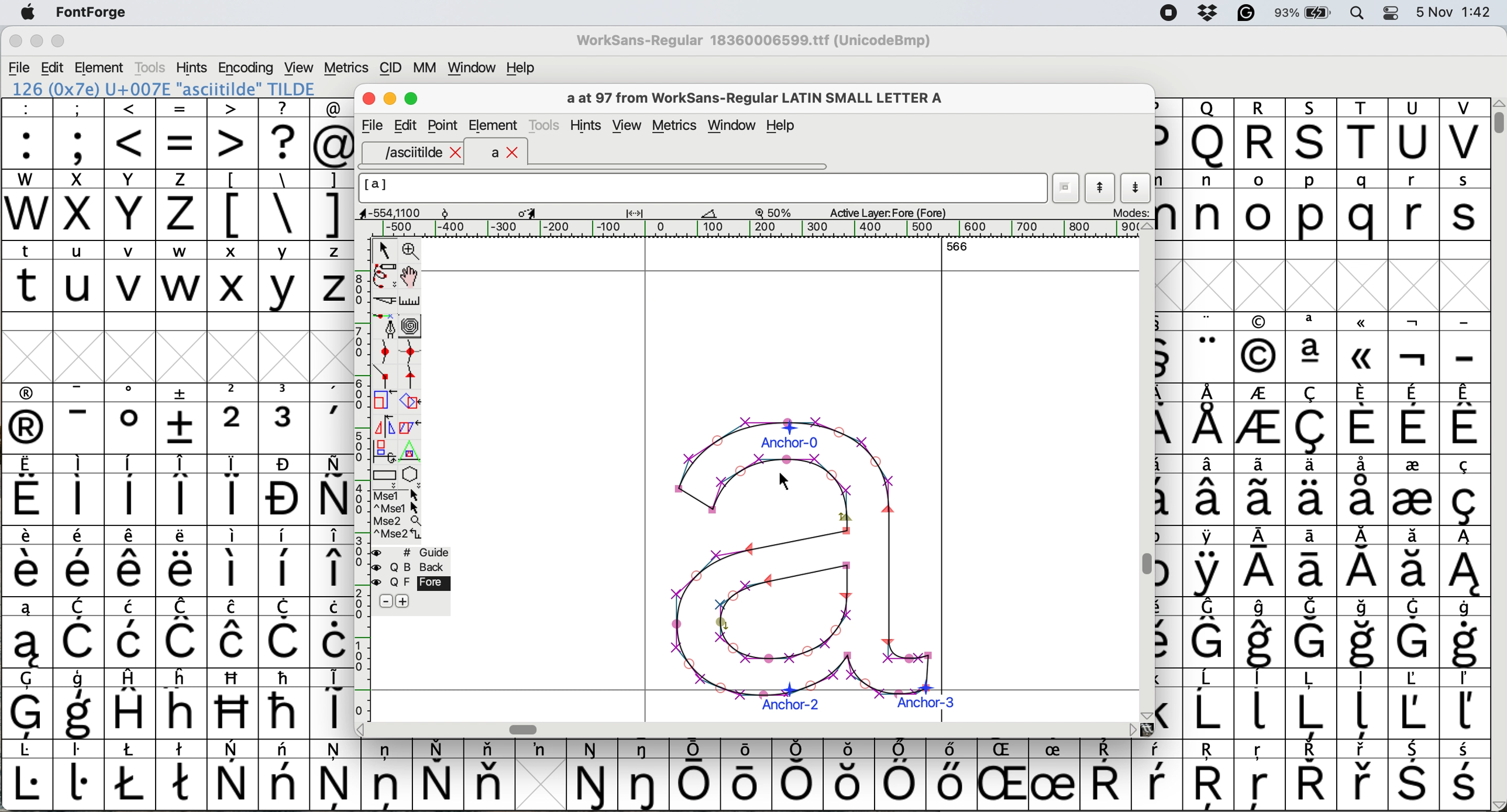 The width and height of the screenshot is (1507, 812). What do you see at coordinates (386, 400) in the screenshot?
I see `scale selection` at bounding box center [386, 400].